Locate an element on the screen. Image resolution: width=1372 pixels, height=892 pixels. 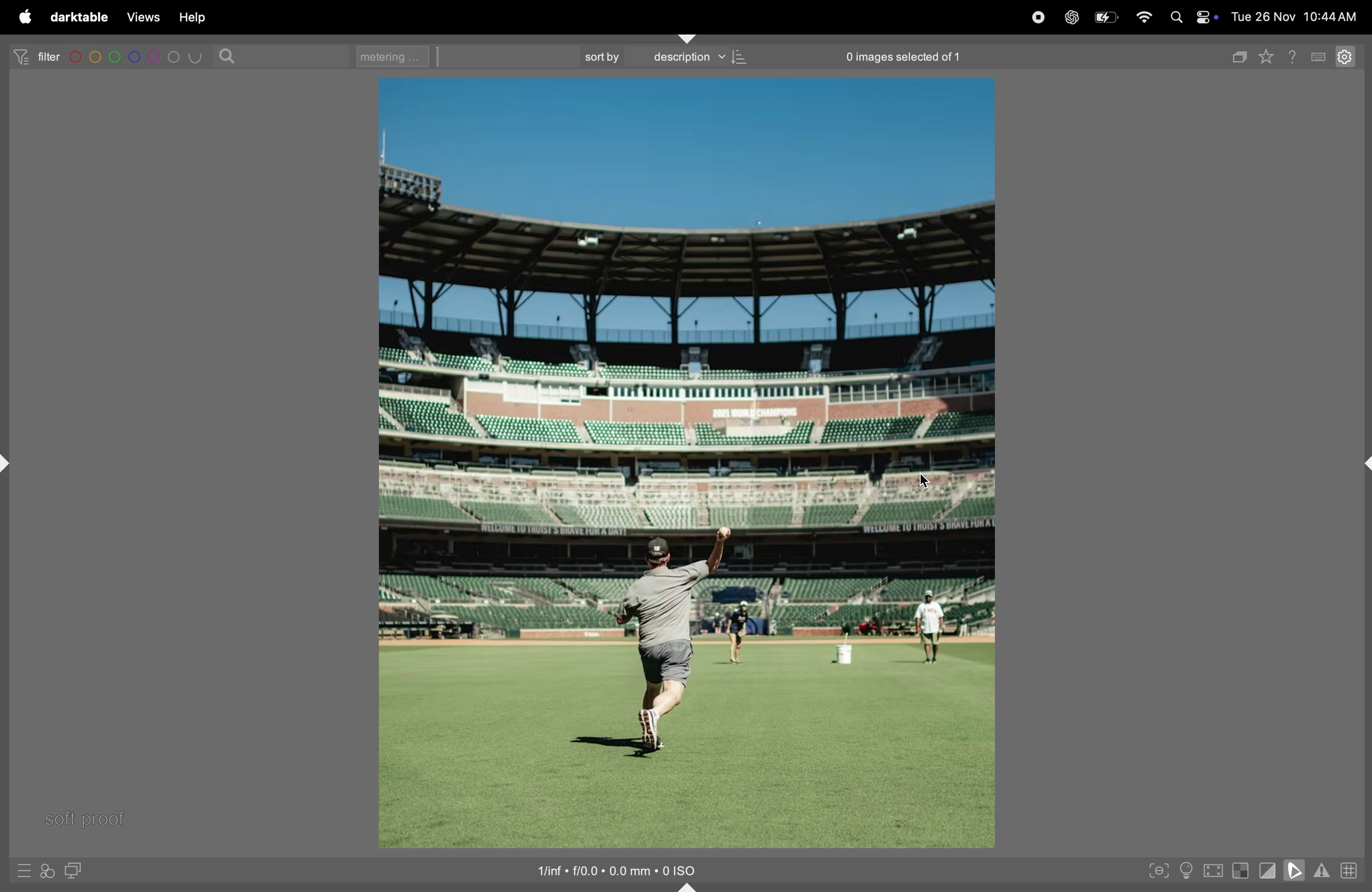
toggle high quality processing is located at coordinates (1215, 870).